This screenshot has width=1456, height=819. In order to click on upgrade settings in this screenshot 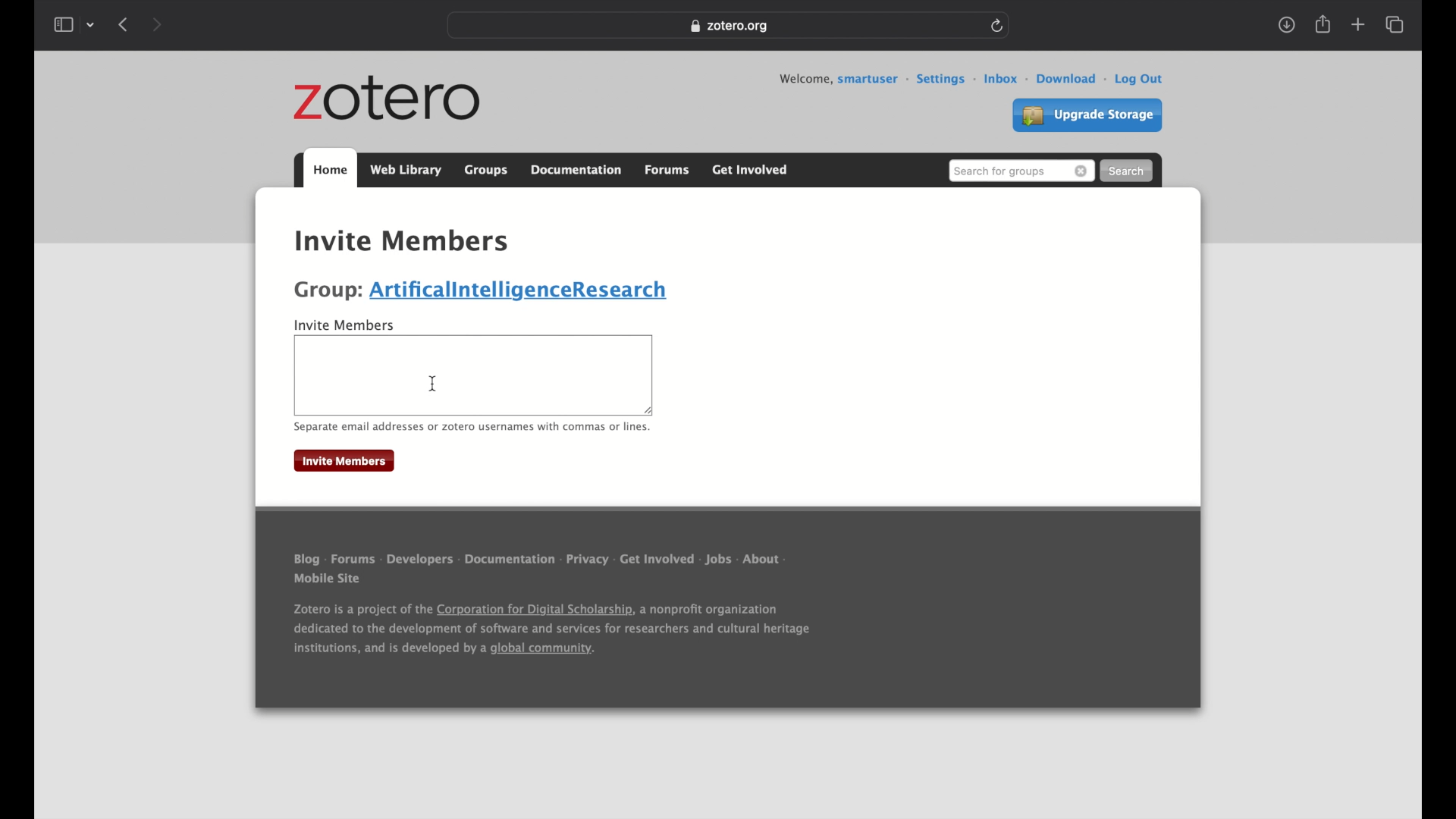, I will do `click(1087, 115)`.